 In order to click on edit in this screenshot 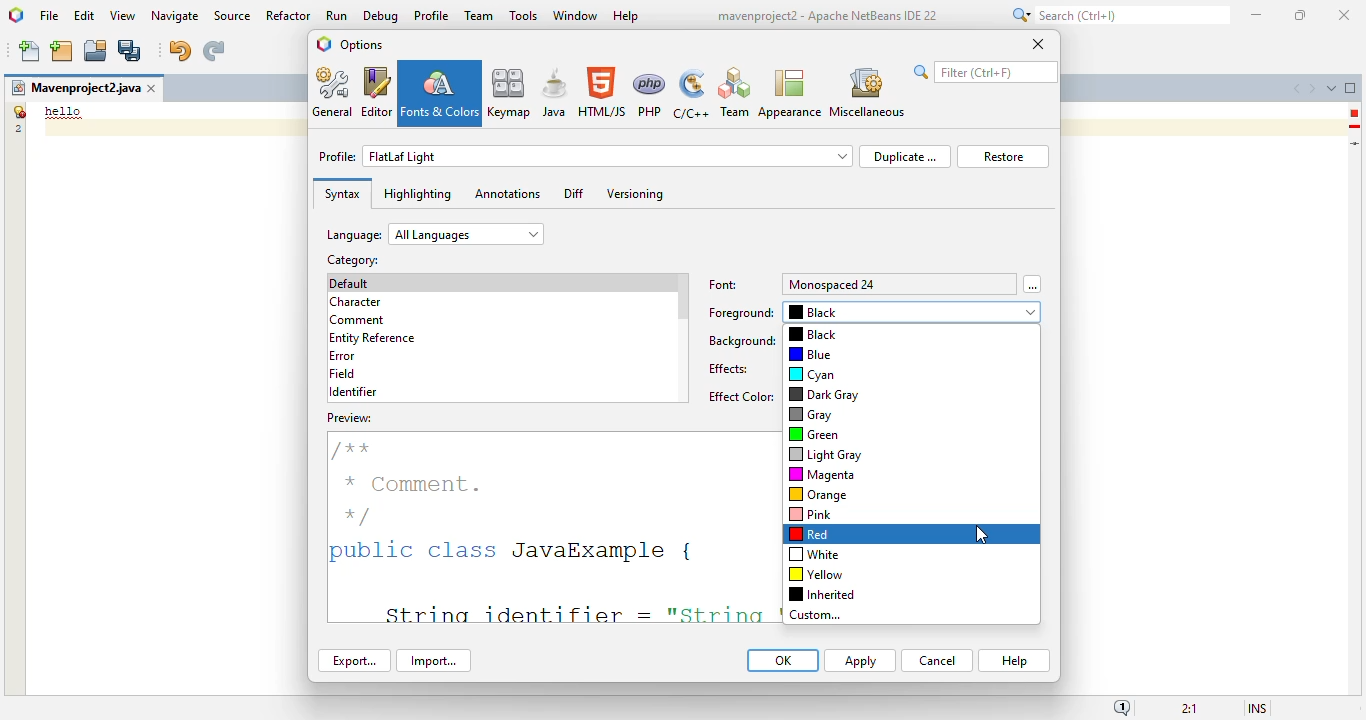, I will do `click(85, 15)`.